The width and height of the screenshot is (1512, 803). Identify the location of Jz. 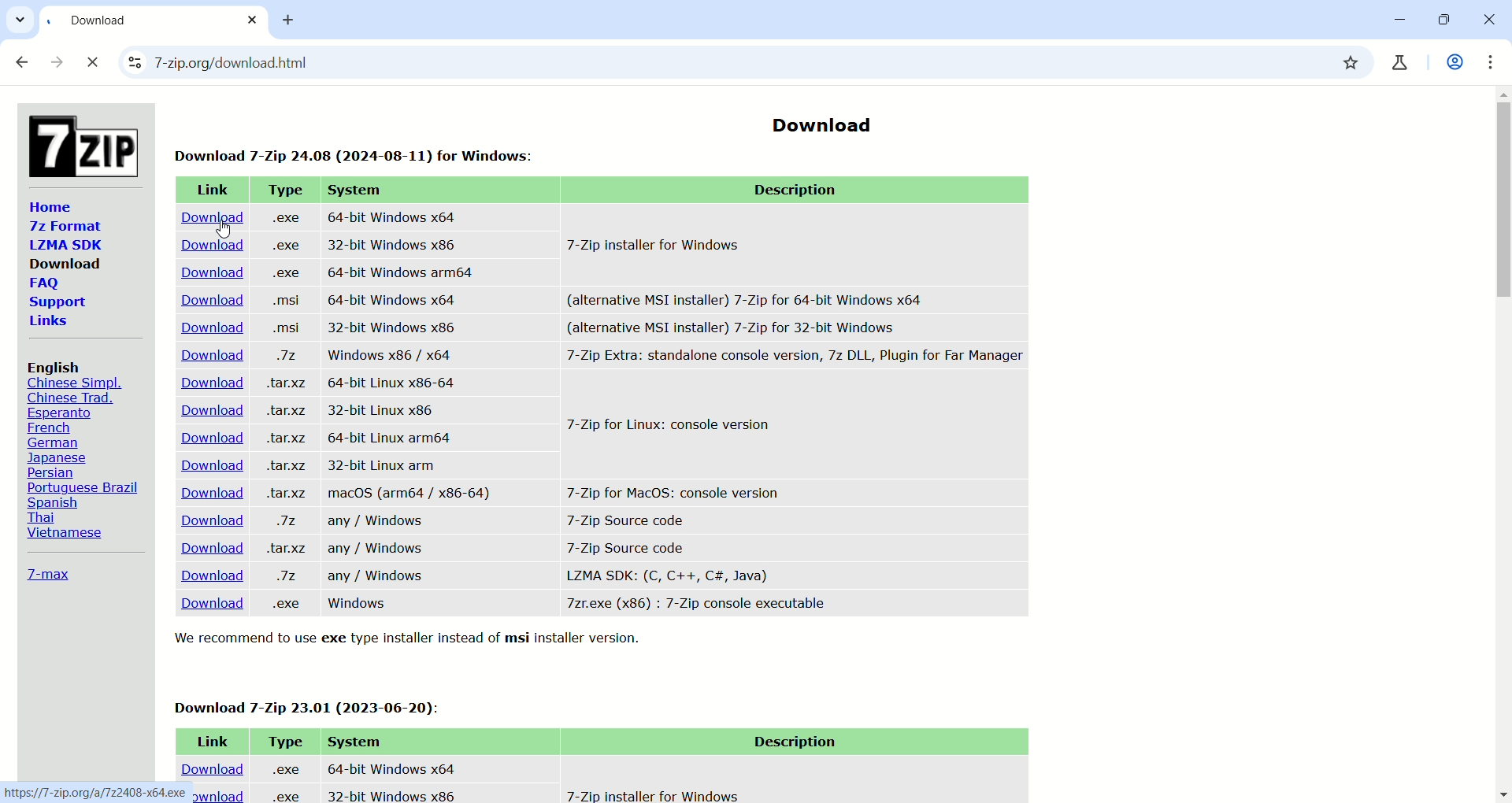
(284, 523).